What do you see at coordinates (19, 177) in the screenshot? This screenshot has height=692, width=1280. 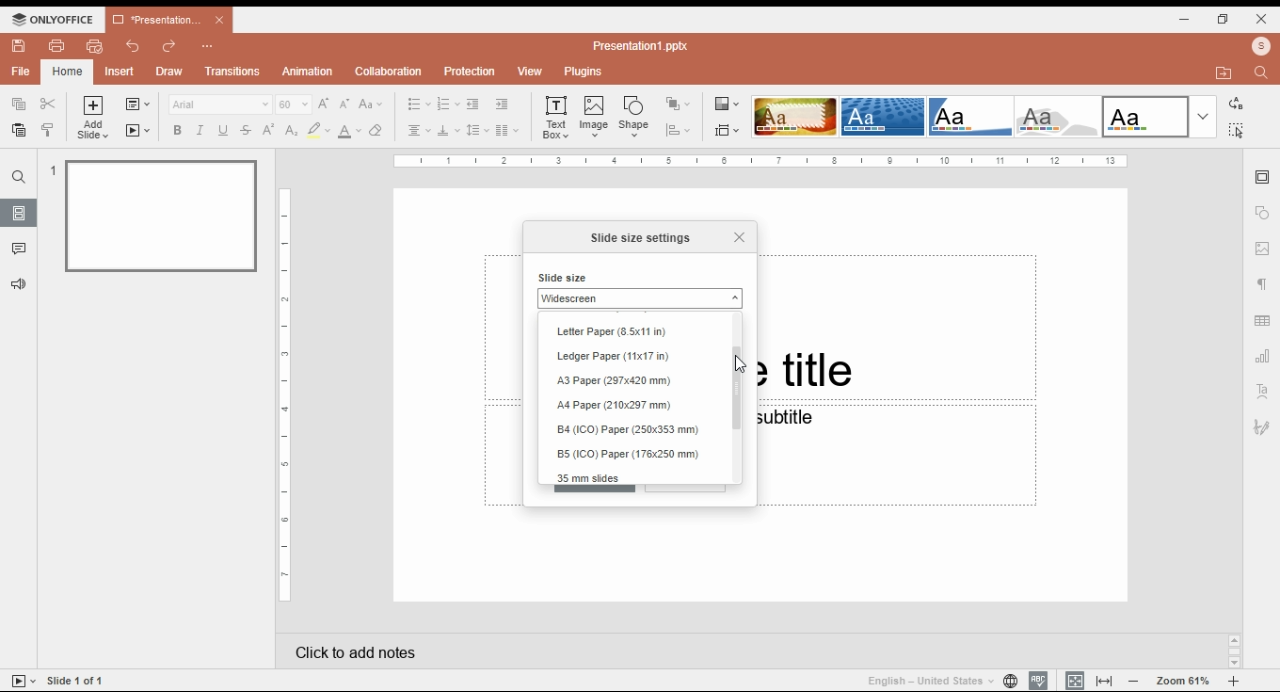 I see `find` at bounding box center [19, 177].